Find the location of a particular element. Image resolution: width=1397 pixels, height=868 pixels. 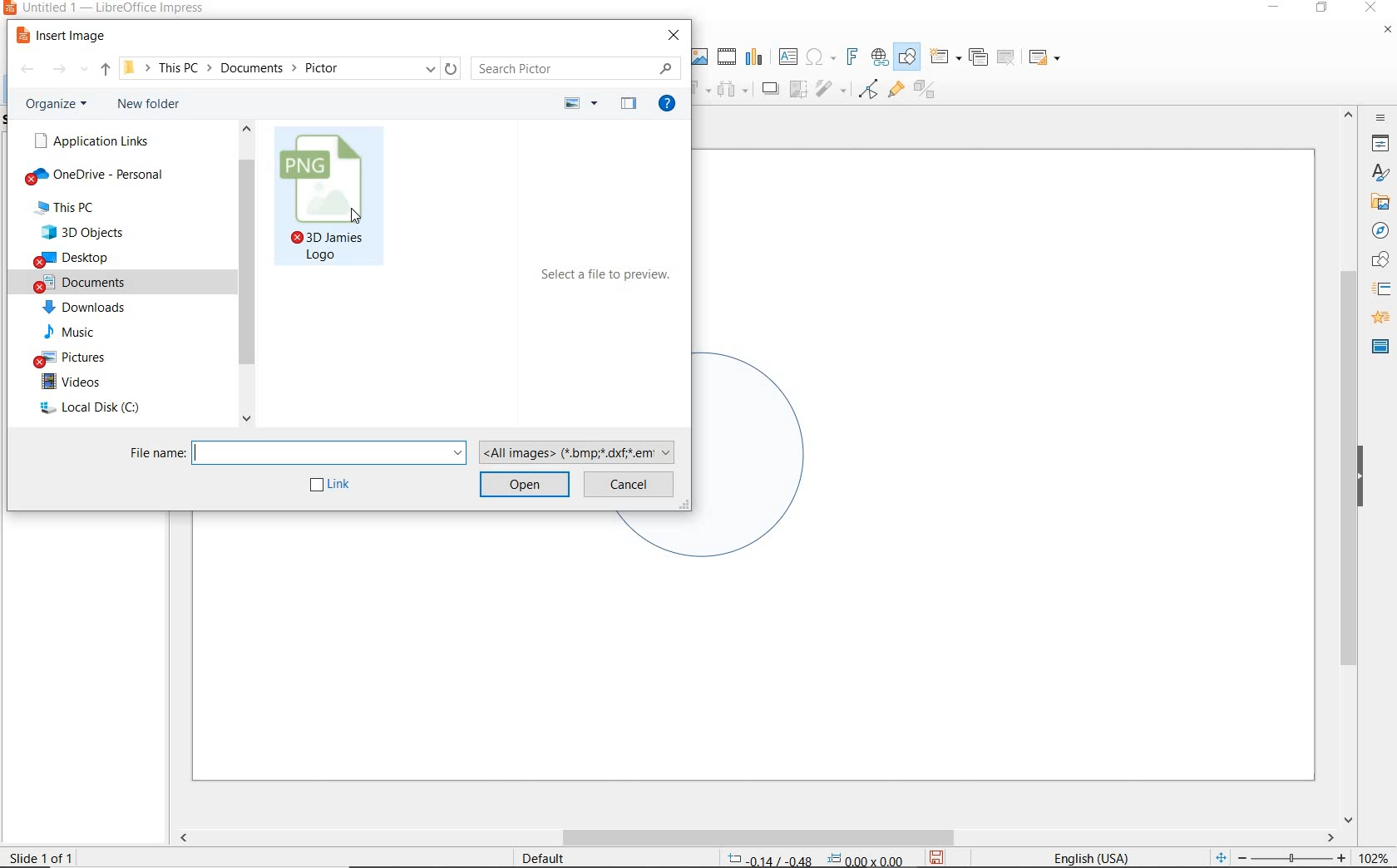

scrollbar is located at coordinates (755, 837).